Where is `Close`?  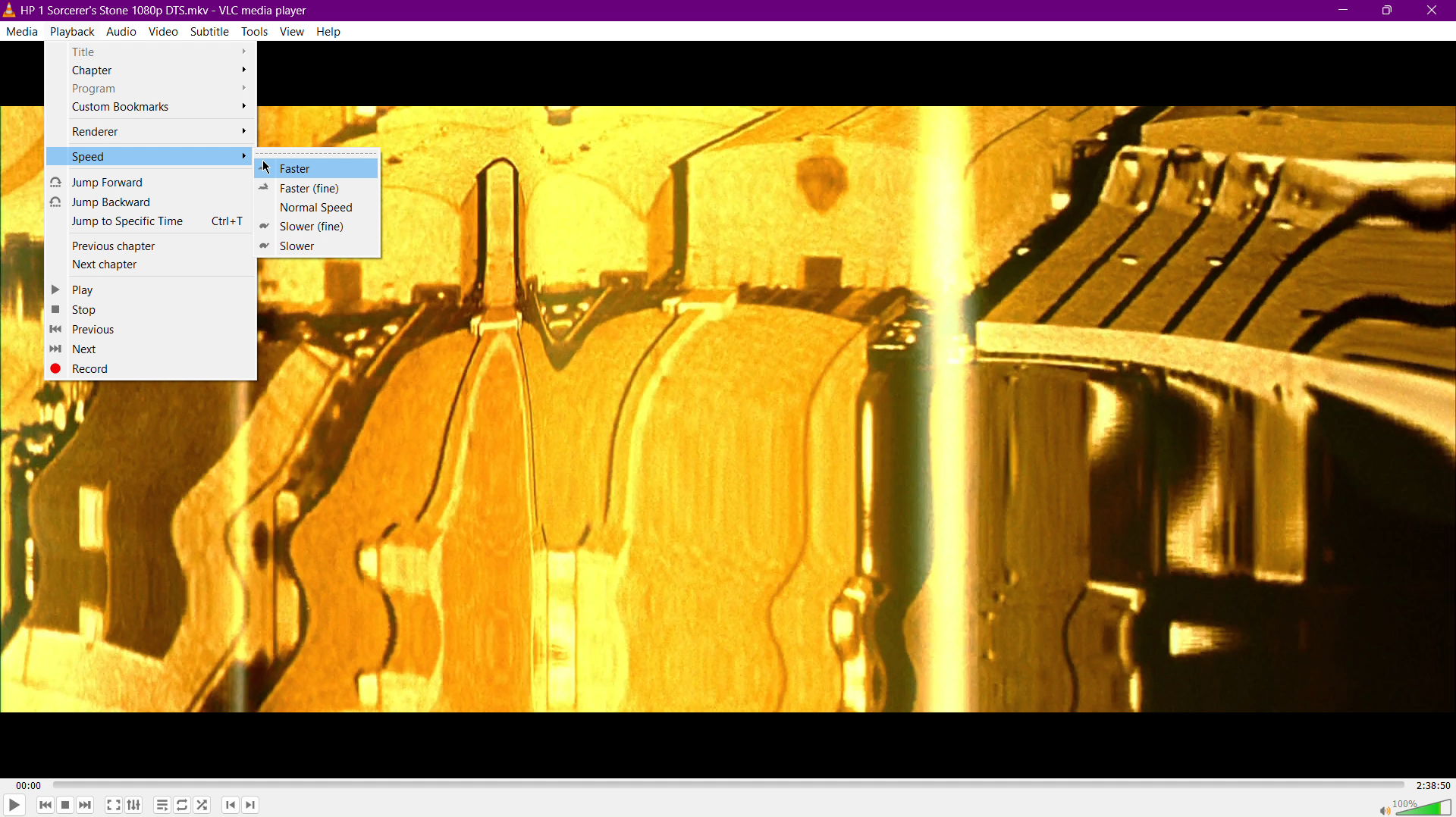
Close is located at coordinates (1433, 10).